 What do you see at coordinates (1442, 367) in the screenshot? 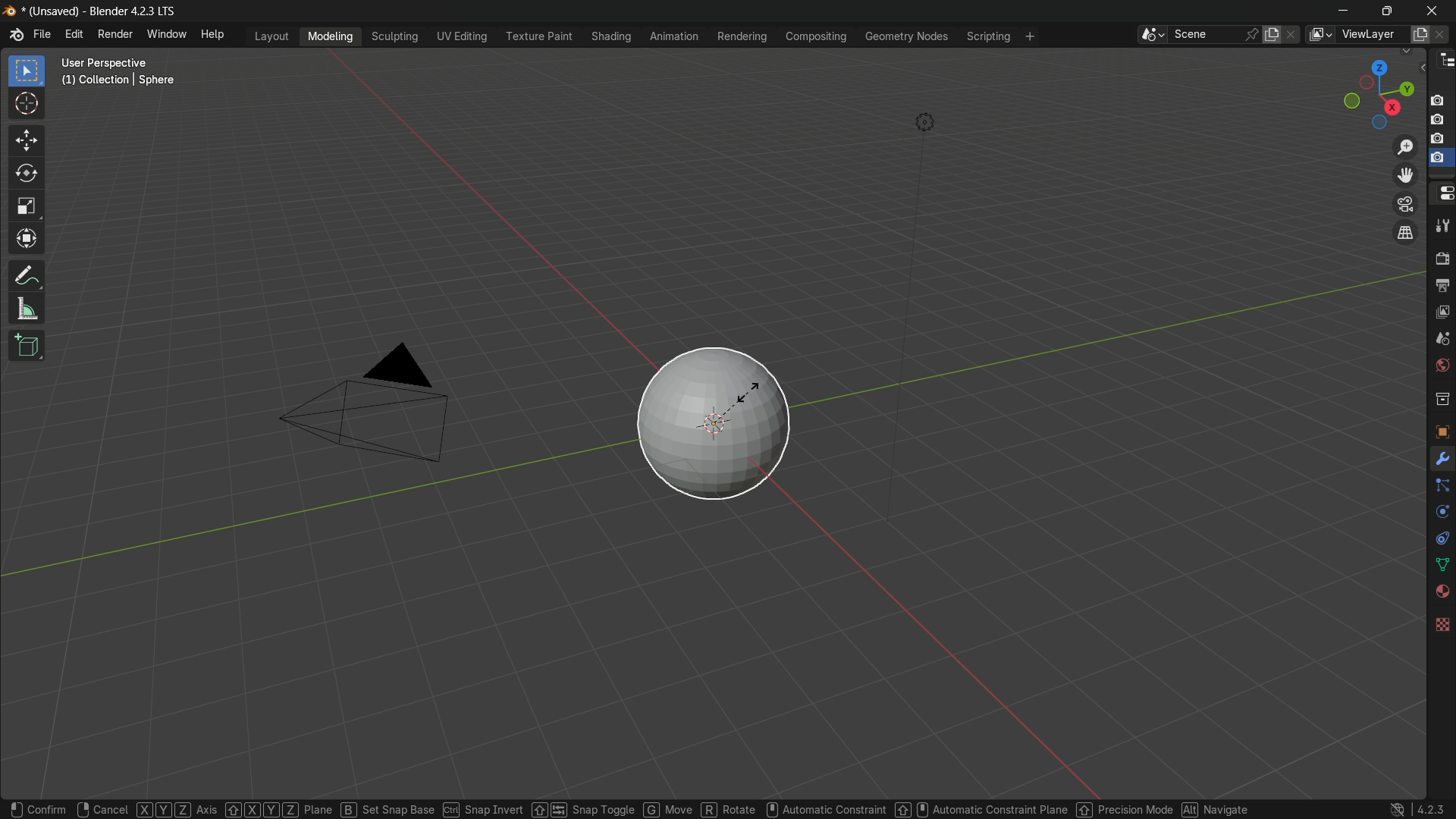
I see `world` at bounding box center [1442, 367].